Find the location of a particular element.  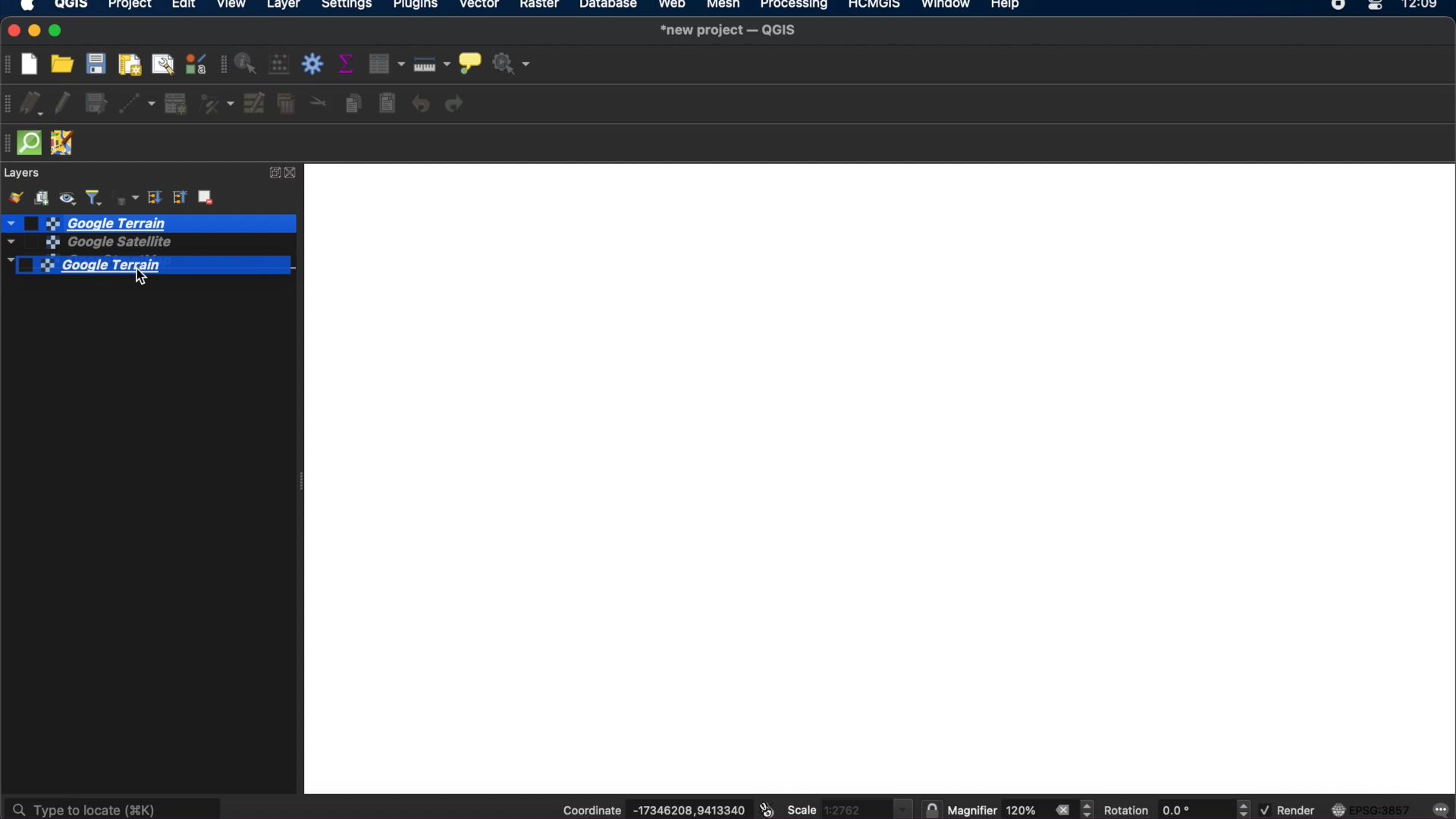

settings is located at coordinates (347, 6).